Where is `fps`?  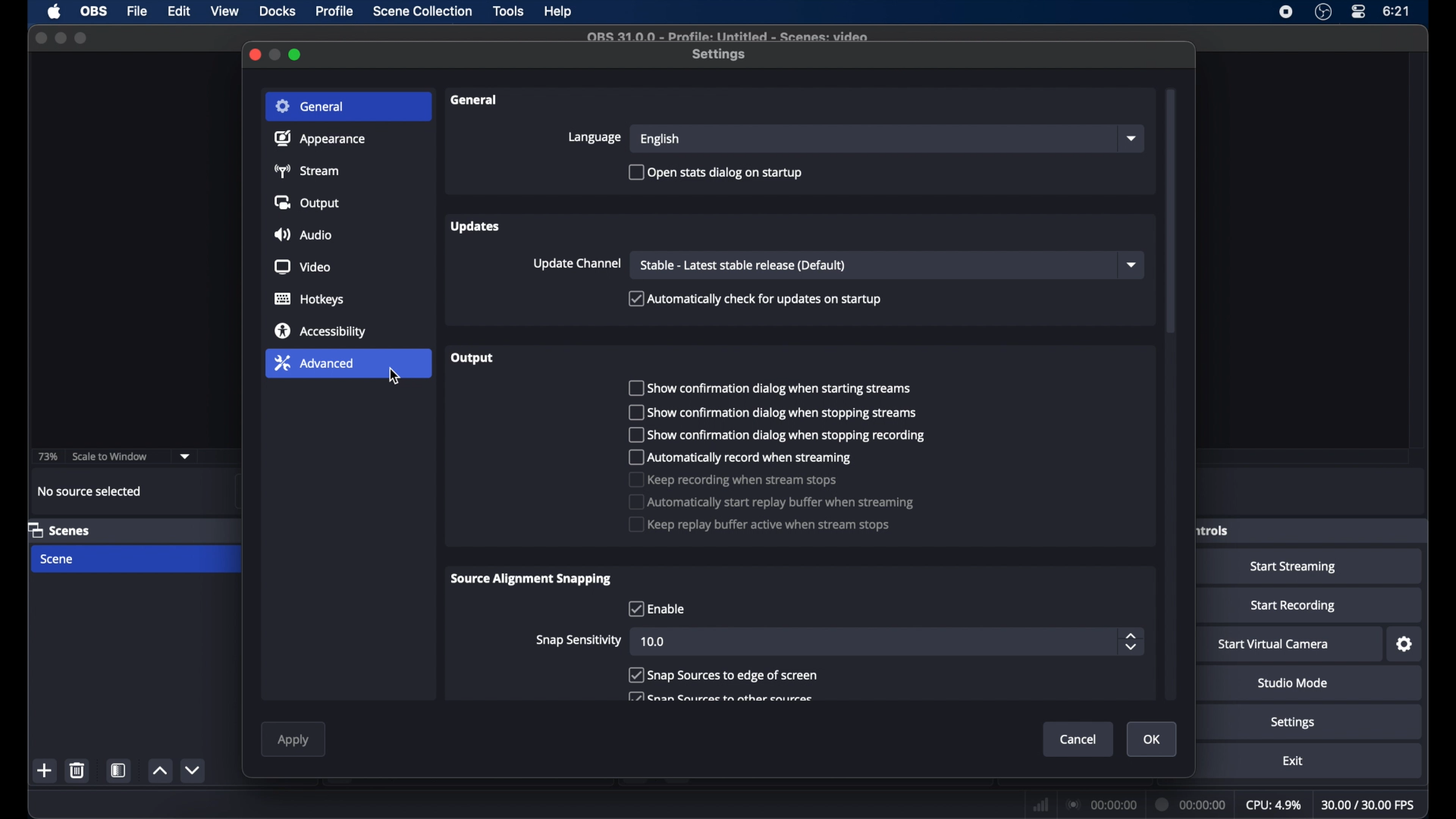
fps is located at coordinates (1370, 805).